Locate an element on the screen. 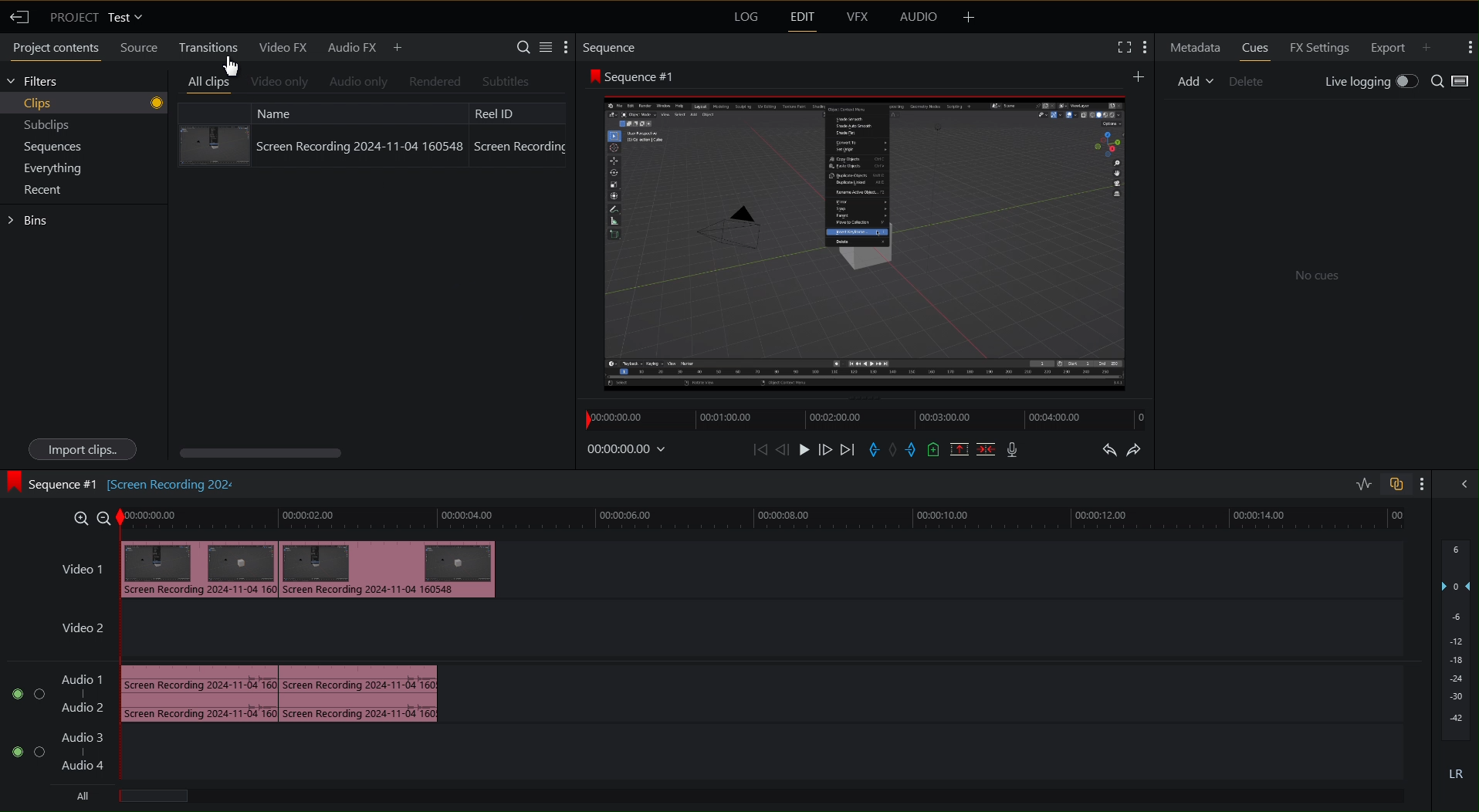  Import clips is located at coordinates (83, 449).